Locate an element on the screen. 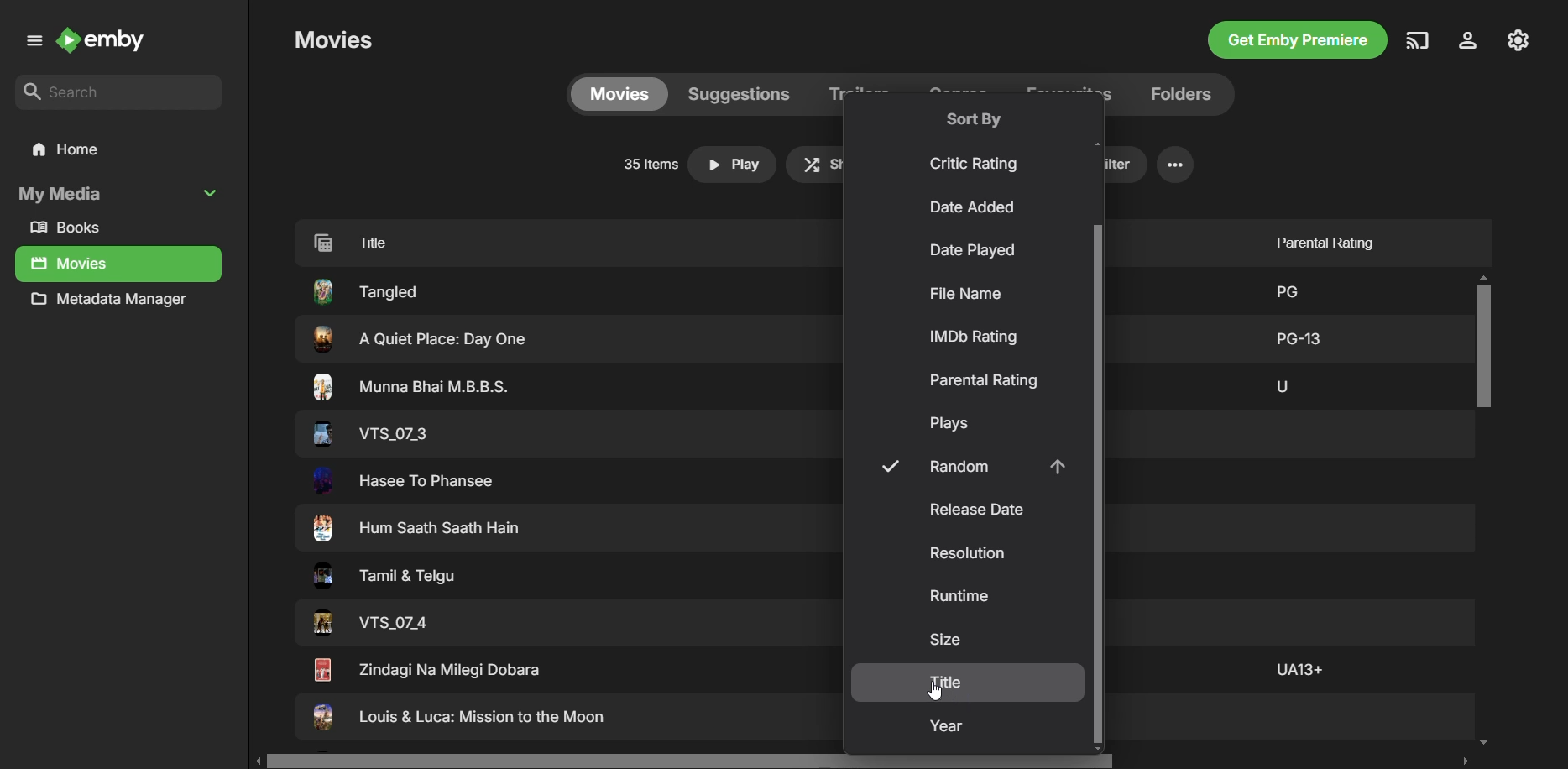   is located at coordinates (405, 481).